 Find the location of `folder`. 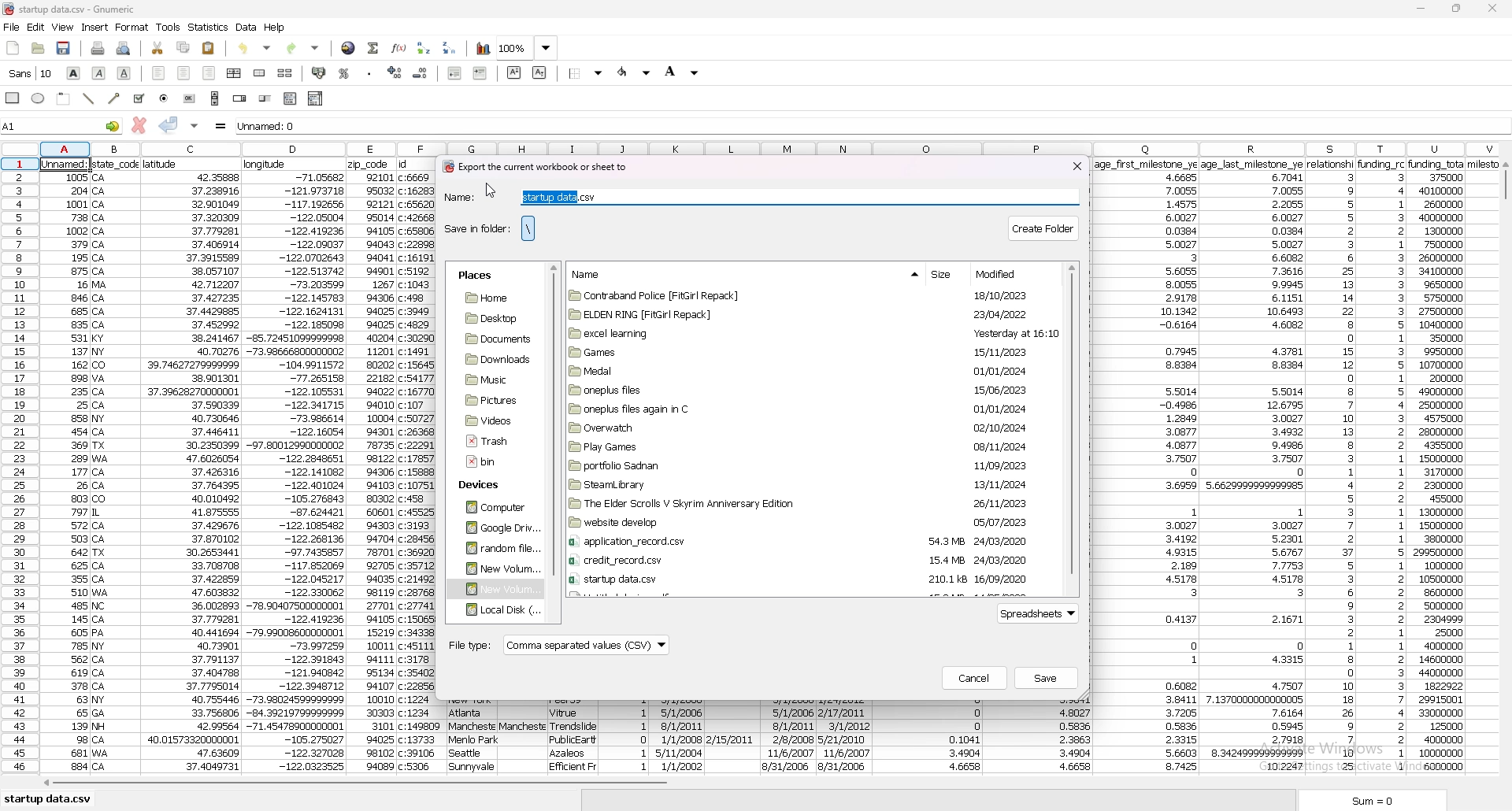

folder is located at coordinates (491, 401).